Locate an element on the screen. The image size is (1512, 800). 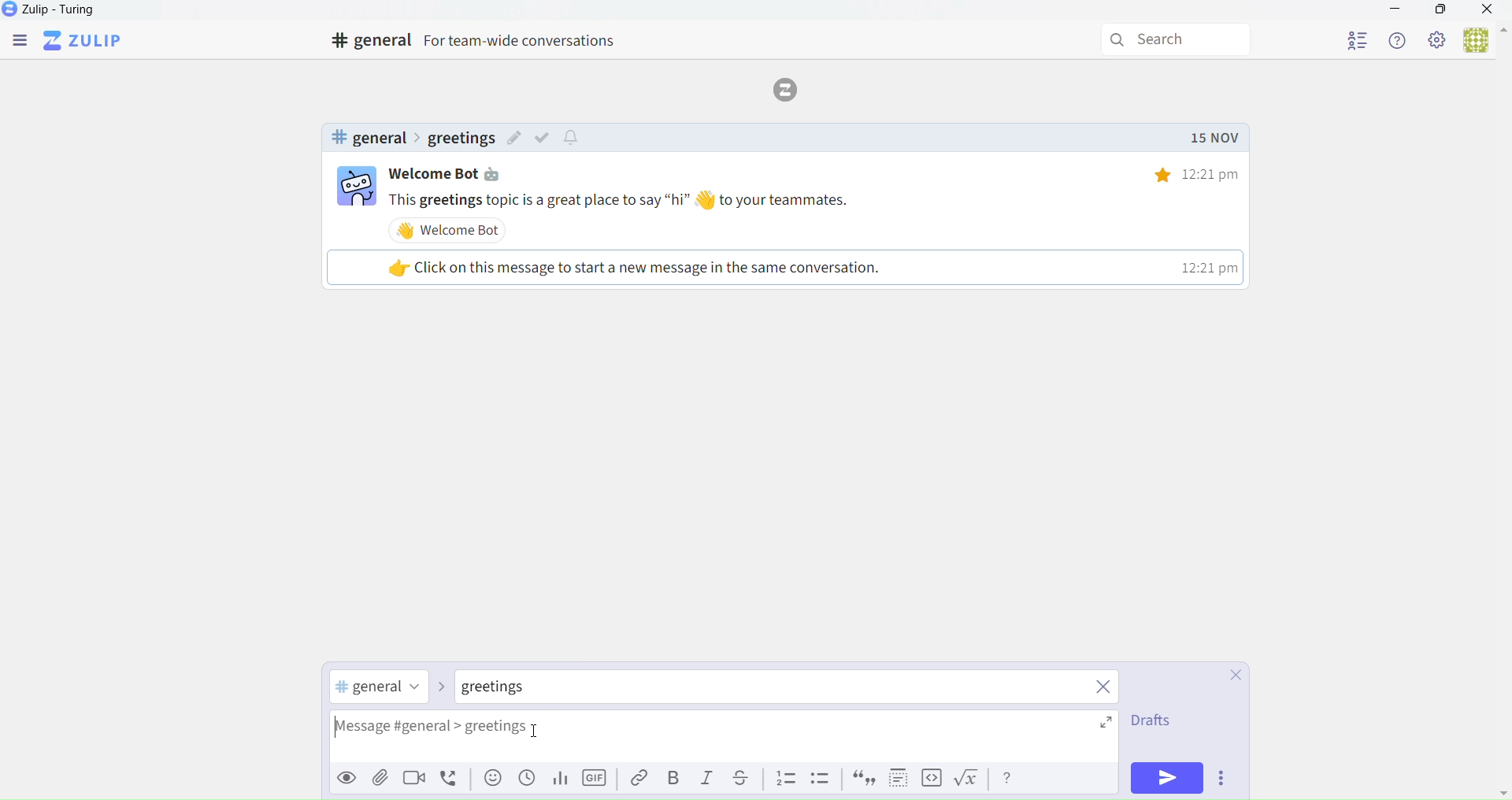
edit is located at coordinates (514, 140).